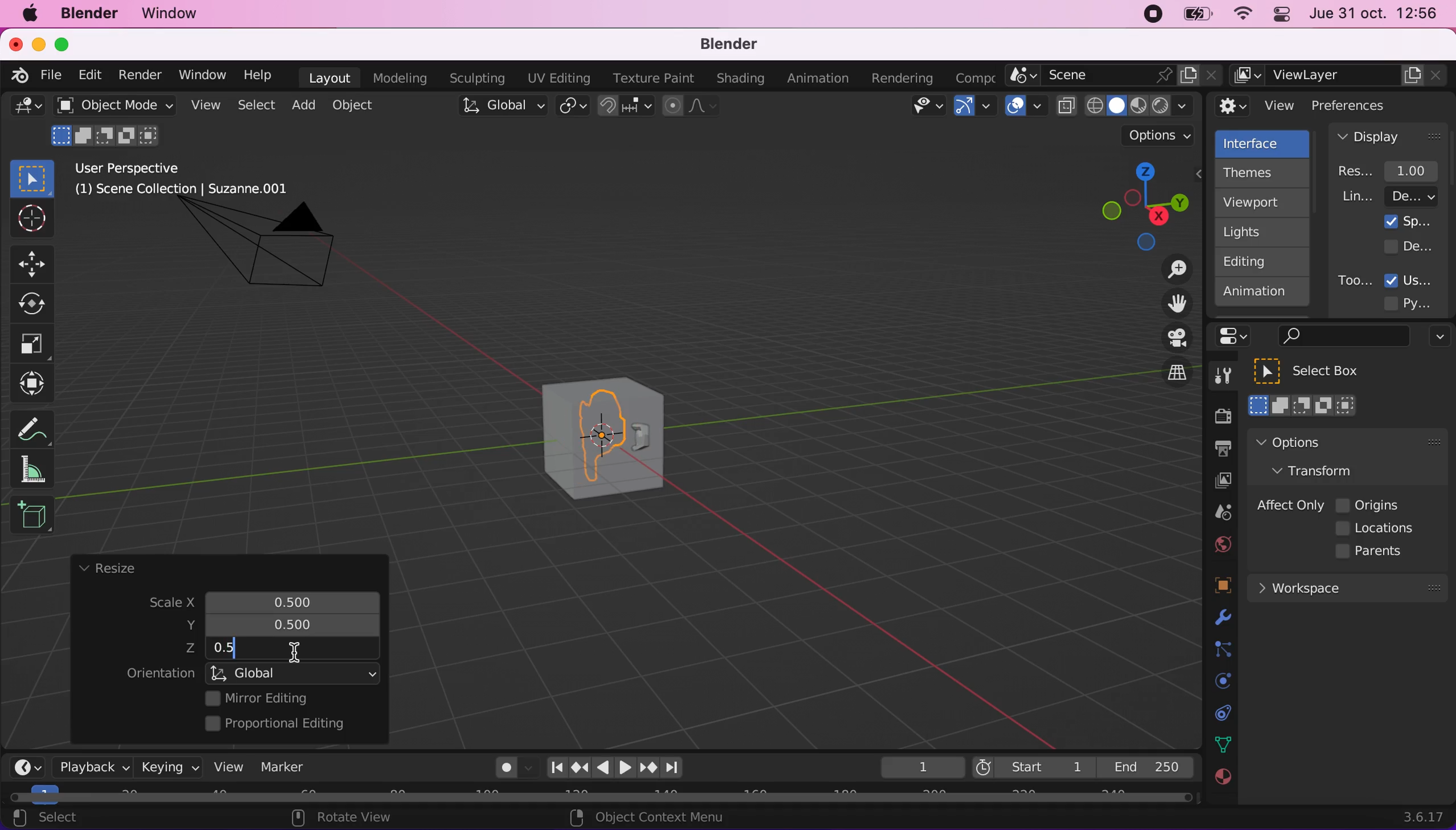  Describe the element at coordinates (1426, 817) in the screenshot. I see `3.6.17` at that location.